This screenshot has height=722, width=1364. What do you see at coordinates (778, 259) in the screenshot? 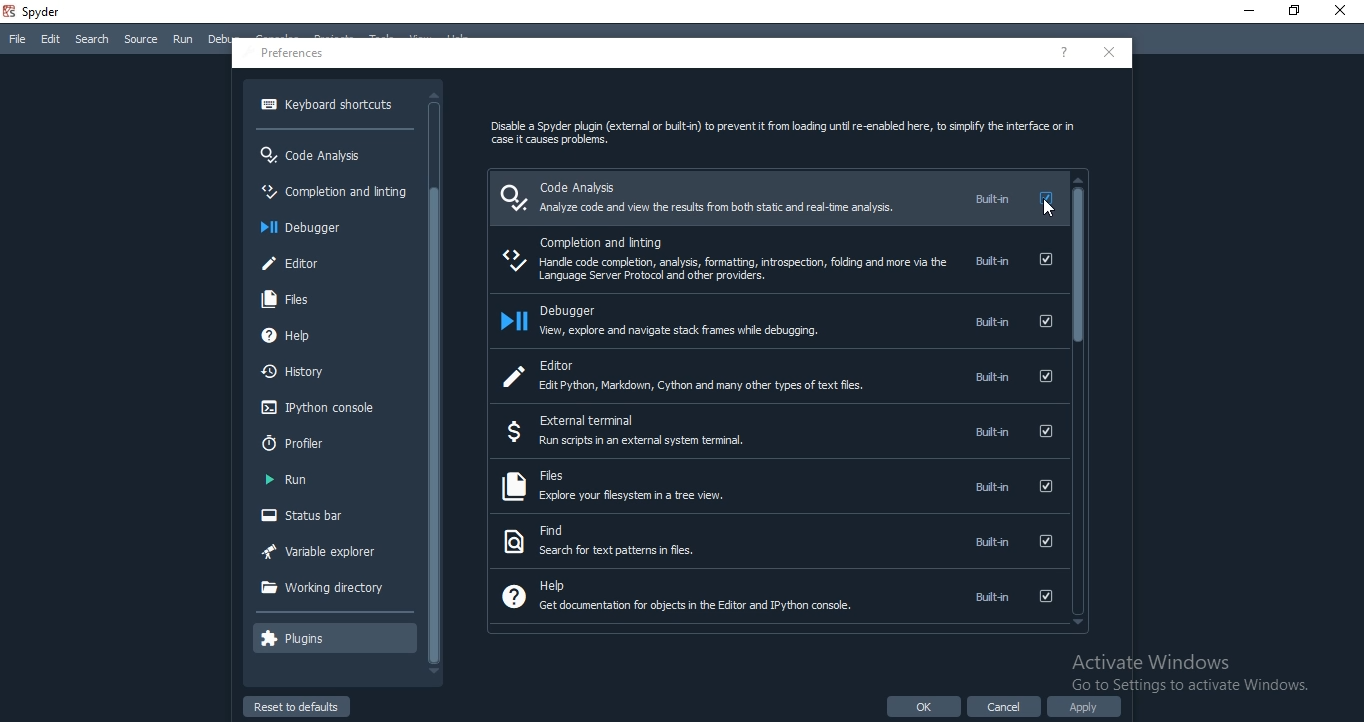
I see `completion and linting` at bounding box center [778, 259].